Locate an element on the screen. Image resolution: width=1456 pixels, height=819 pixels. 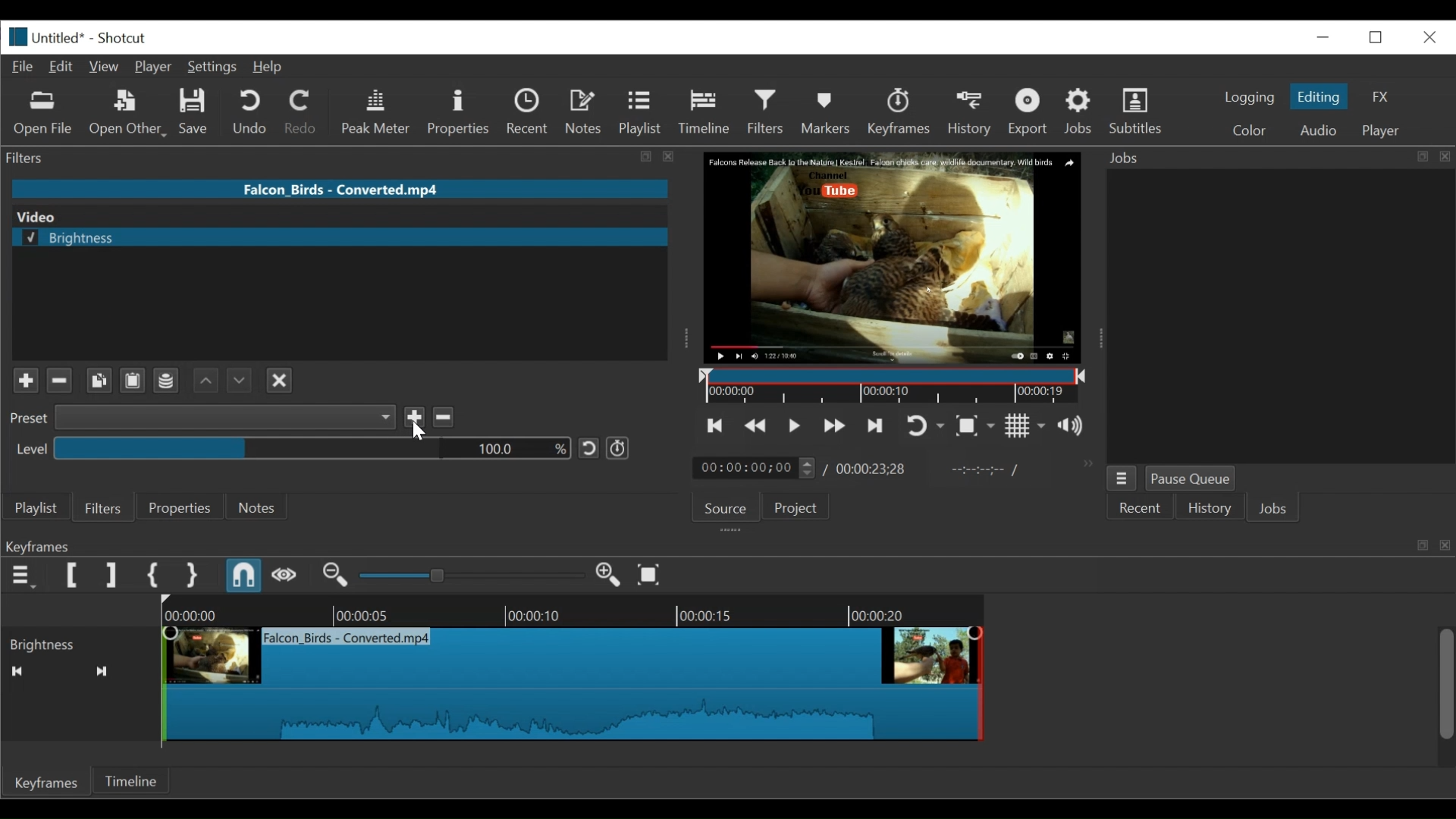
Toggle grid display on the player is located at coordinates (1026, 426).